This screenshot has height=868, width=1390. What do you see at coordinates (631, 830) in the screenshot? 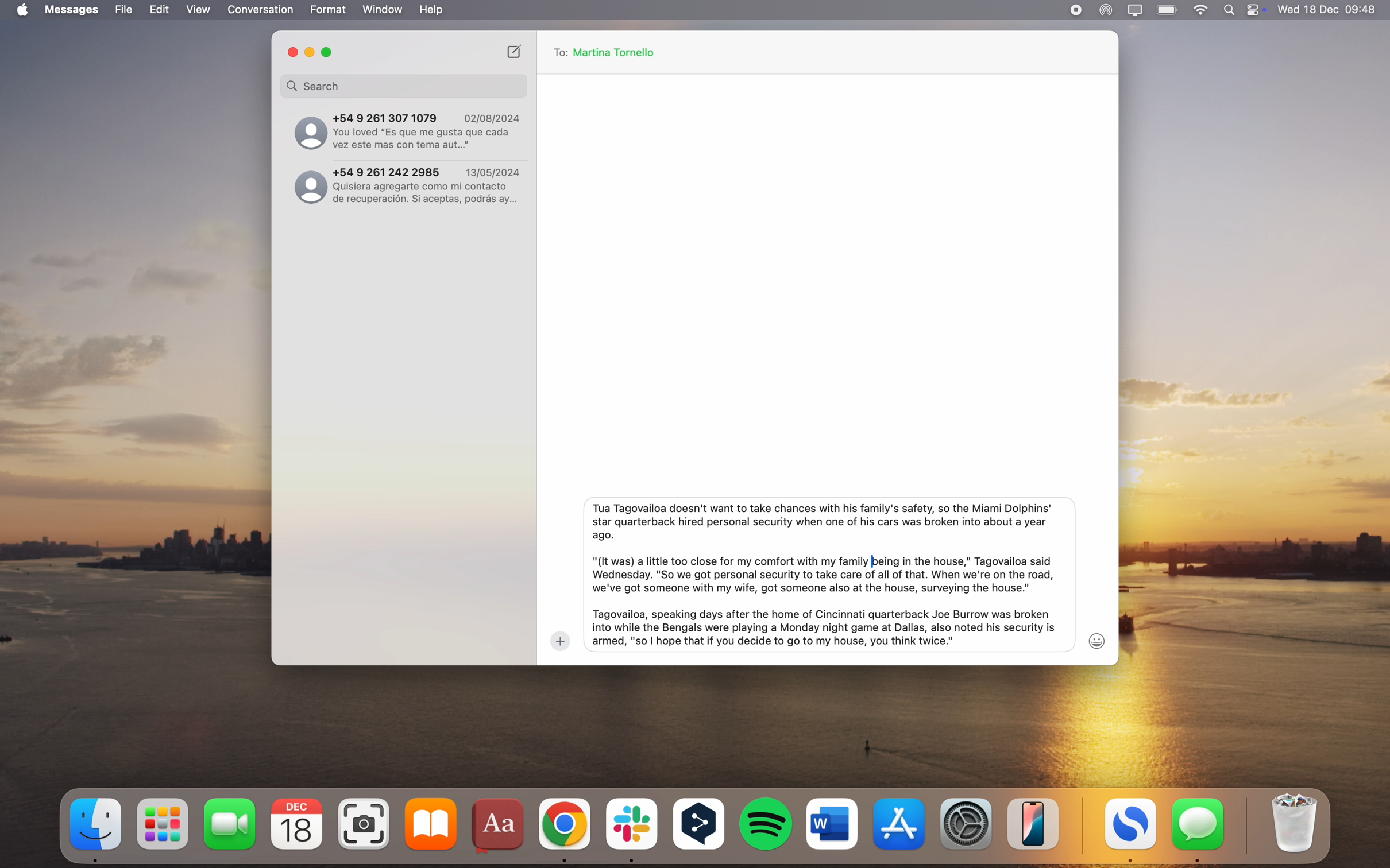
I see `Slack` at bounding box center [631, 830].